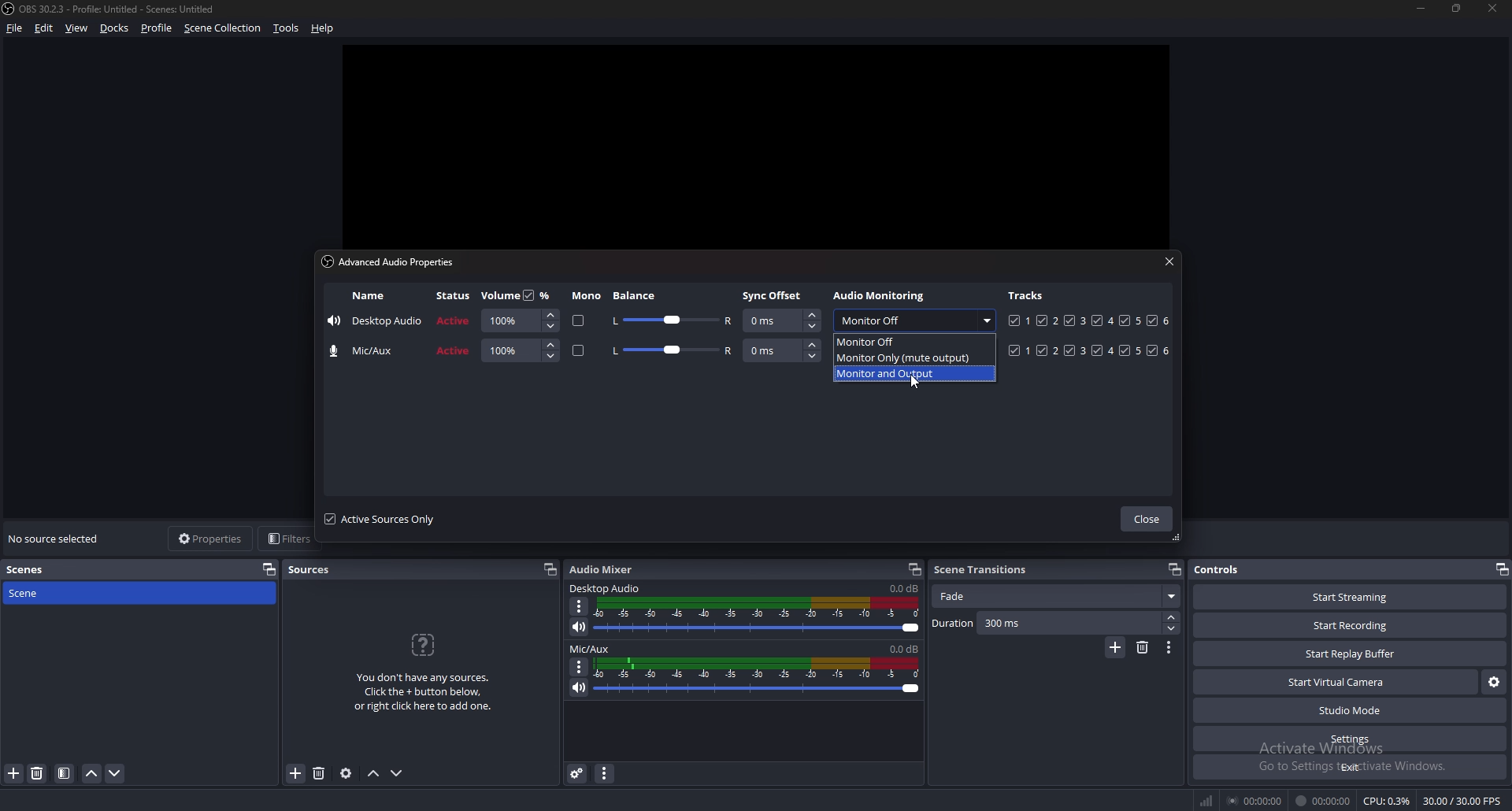  What do you see at coordinates (222, 28) in the screenshot?
I see `scene collection` at bounding box center [222, 28].